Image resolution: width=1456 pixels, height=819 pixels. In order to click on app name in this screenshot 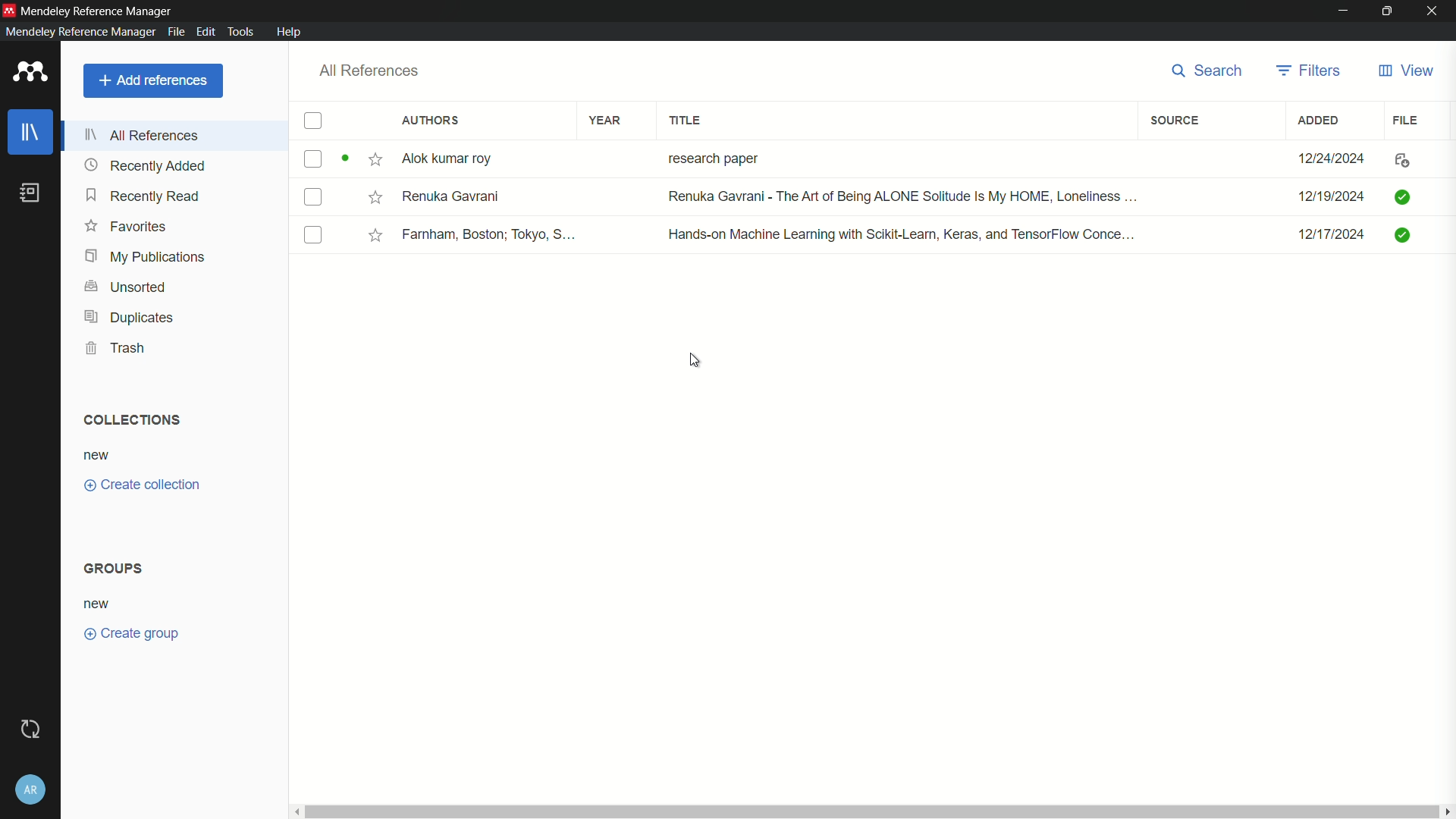, I will do `click(99, 10)`.